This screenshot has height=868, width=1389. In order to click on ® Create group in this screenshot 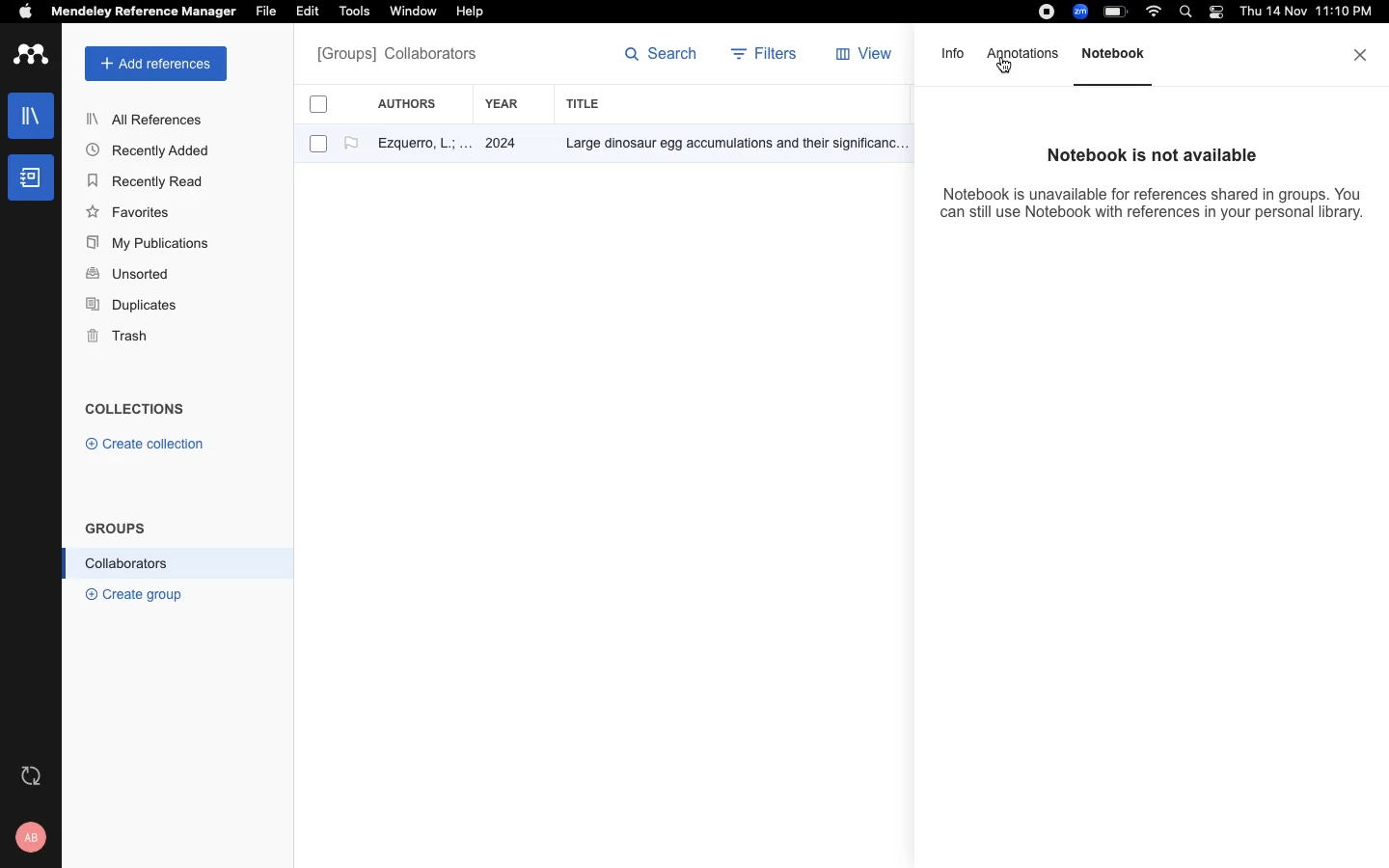, I will do `click(130, 593)`.